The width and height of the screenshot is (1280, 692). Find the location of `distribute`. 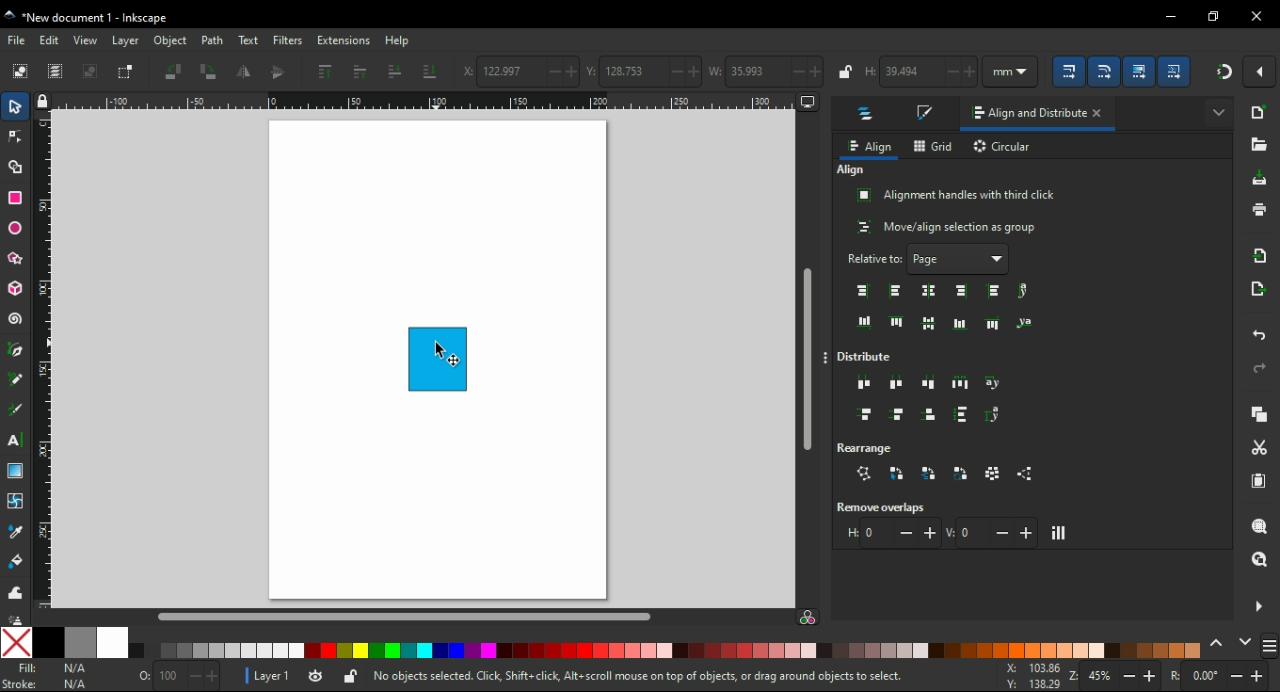

distribute is located at coordinates (867, 355).